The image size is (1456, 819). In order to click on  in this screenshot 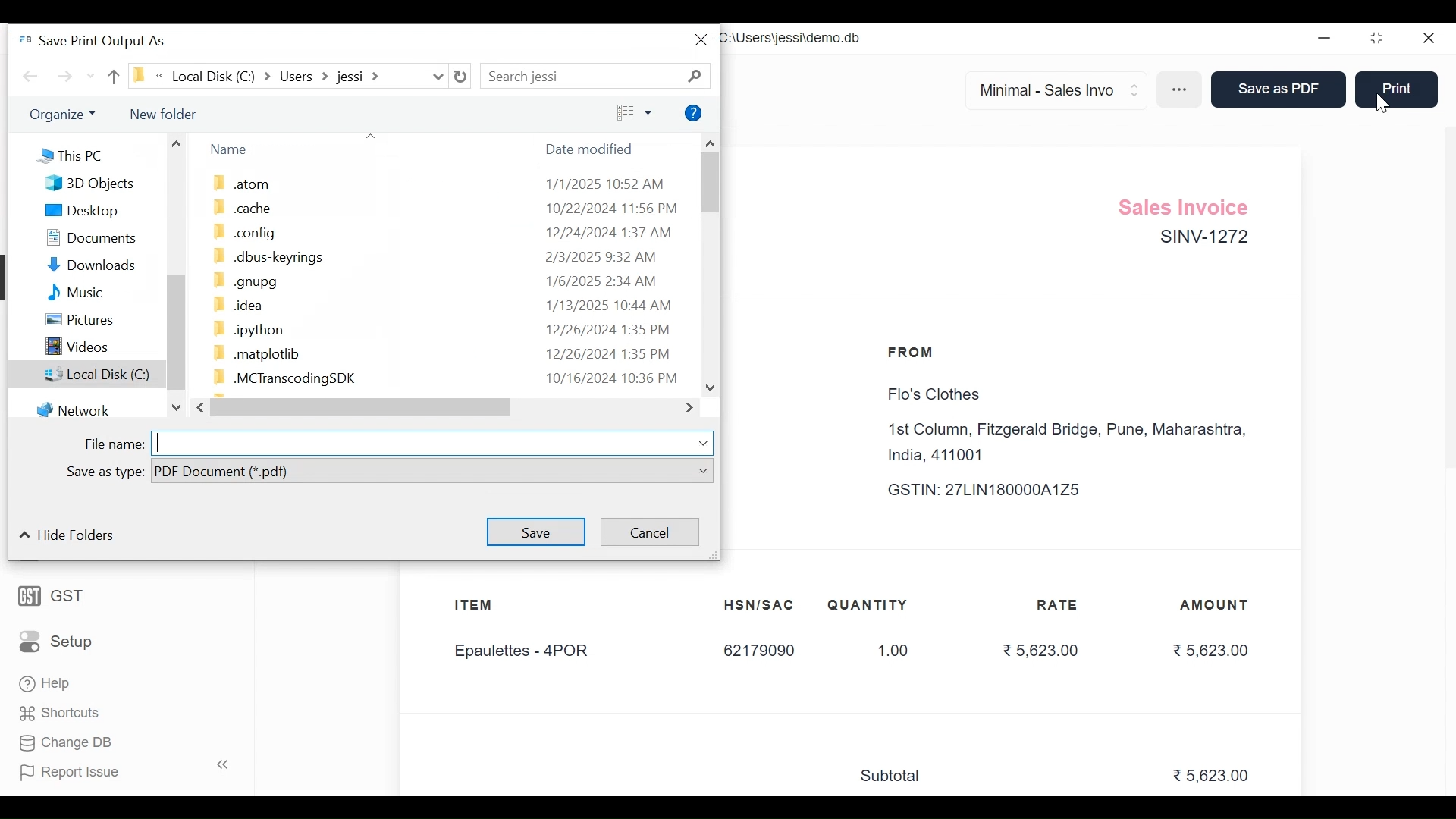, I will do `click(68, 114)`.